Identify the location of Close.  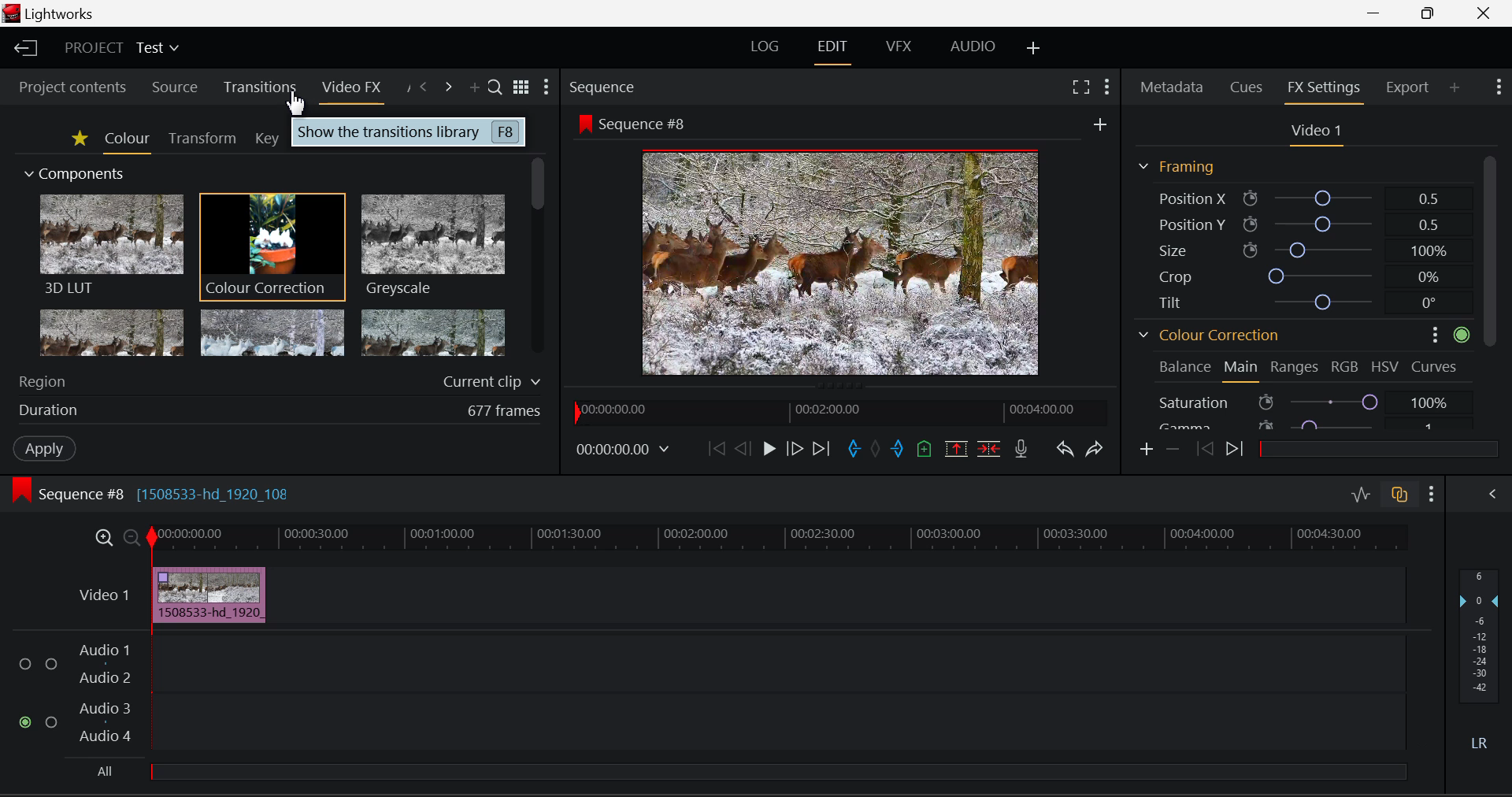
(1483, 14).